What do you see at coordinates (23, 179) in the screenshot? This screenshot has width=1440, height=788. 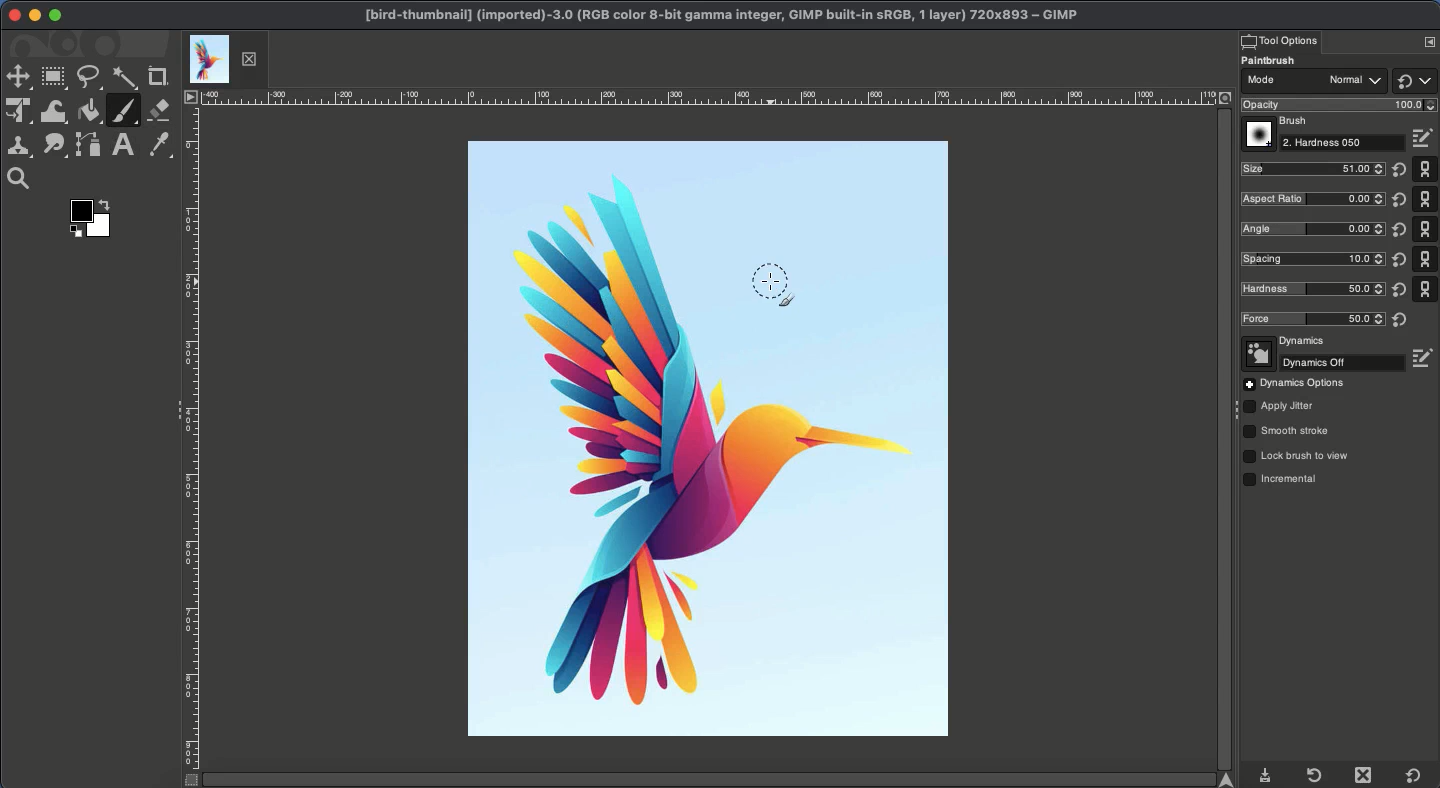 I see `Magnify` at bounding box center [23, 179].